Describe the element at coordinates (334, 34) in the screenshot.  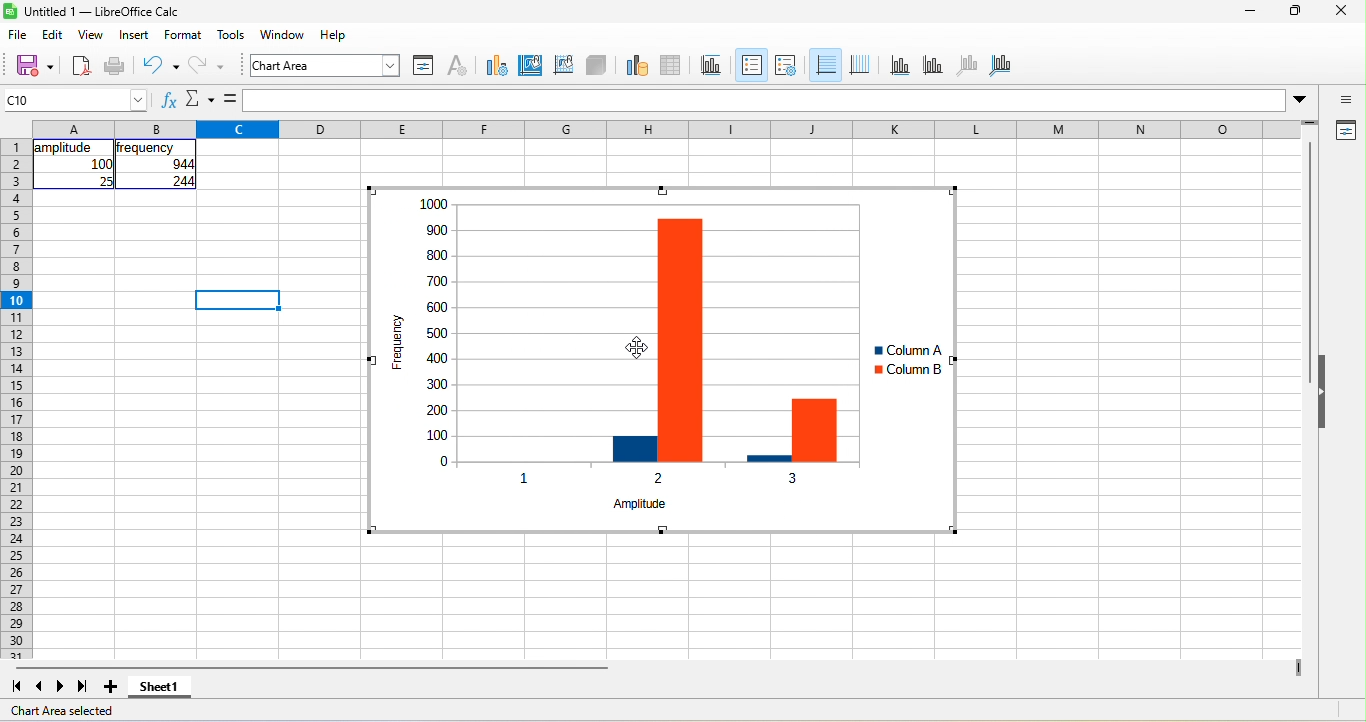
I see `help` at that location.